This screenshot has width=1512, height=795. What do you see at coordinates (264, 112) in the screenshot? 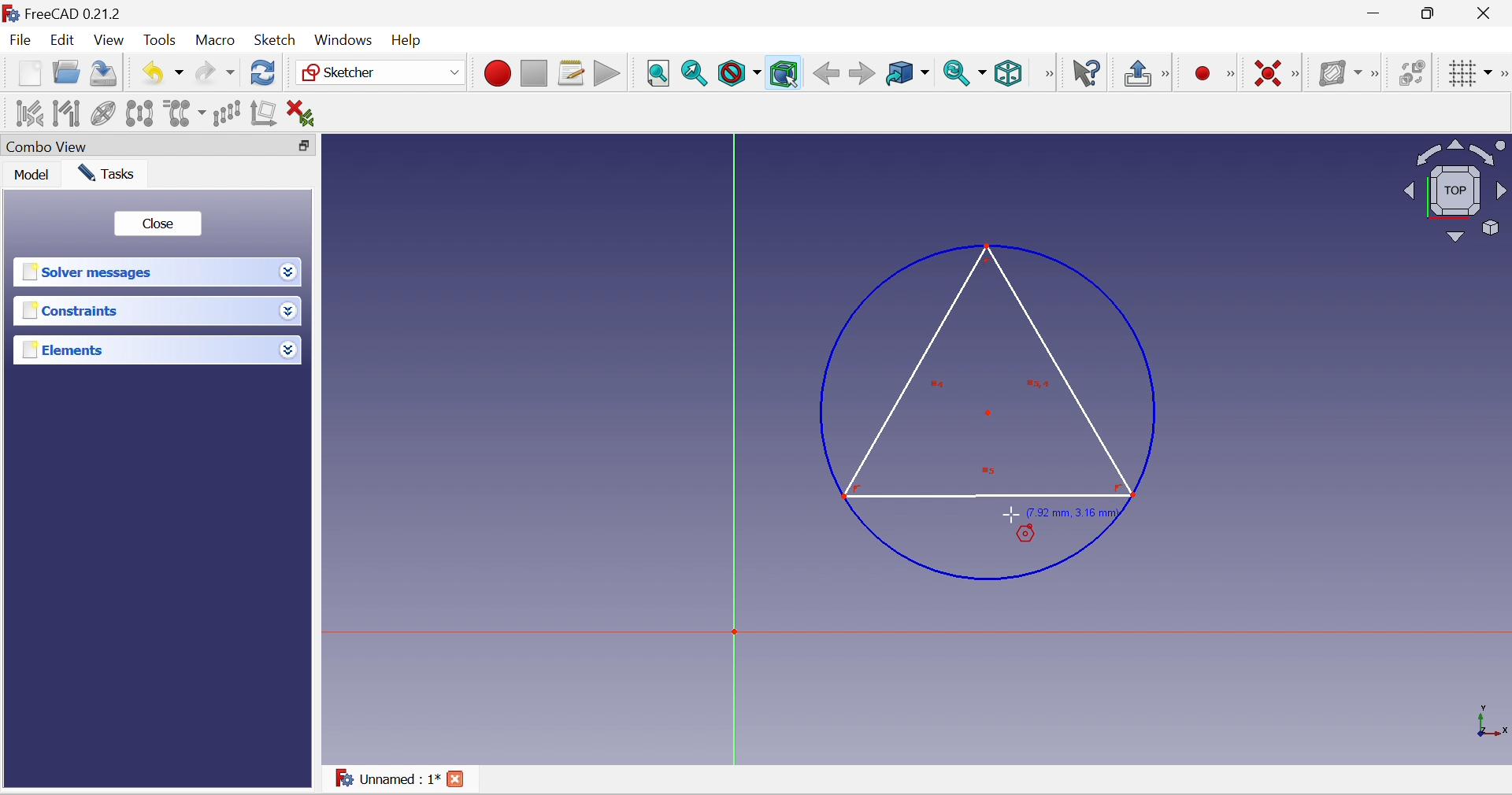
I see `Remove axes alignment` at bounding box center [264, 112].